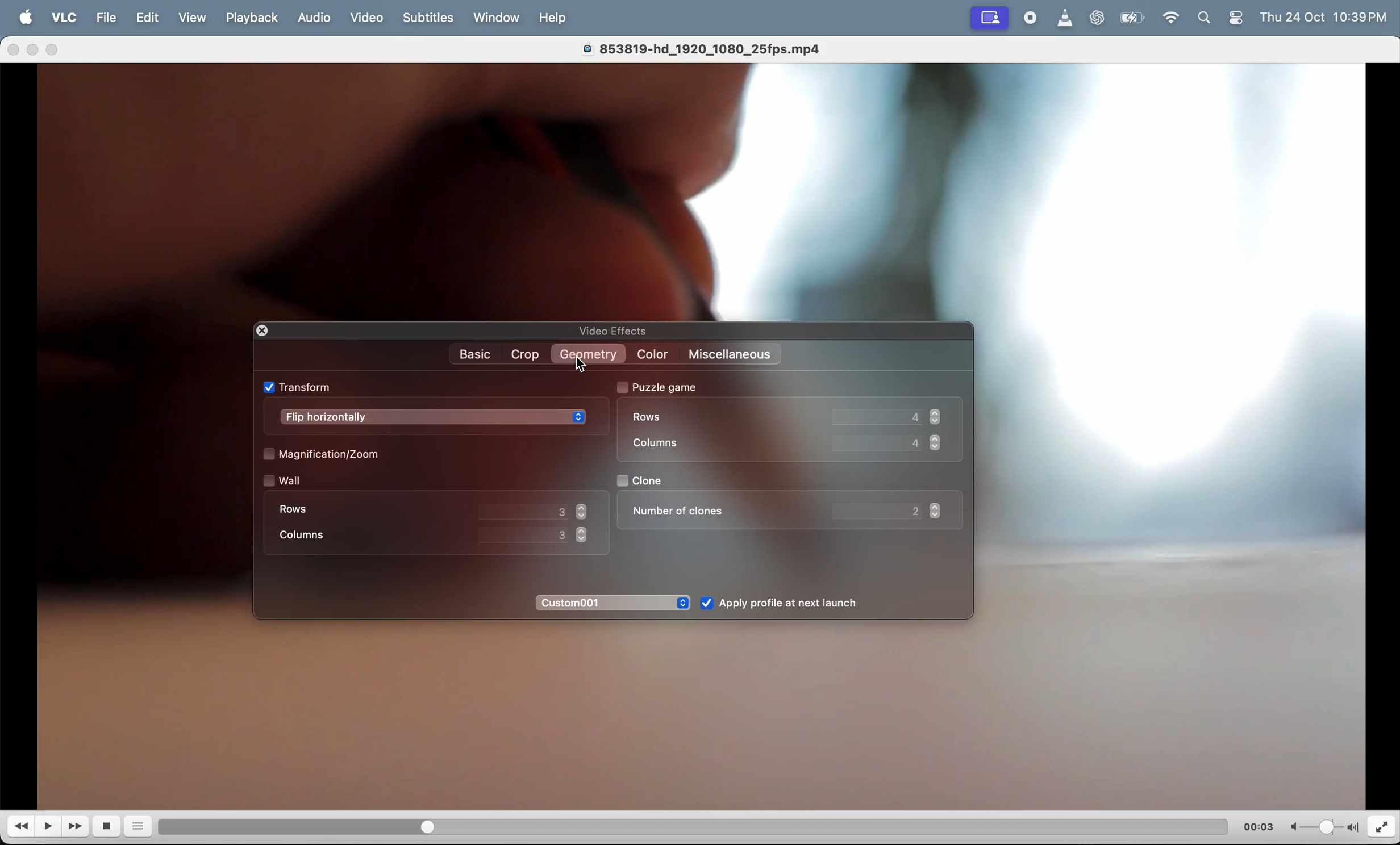 The height and width of the screenshot is (845, 1400). Describe the element at coordinates (77, 826) in the screenshot. I see `Fast forward` at that location.